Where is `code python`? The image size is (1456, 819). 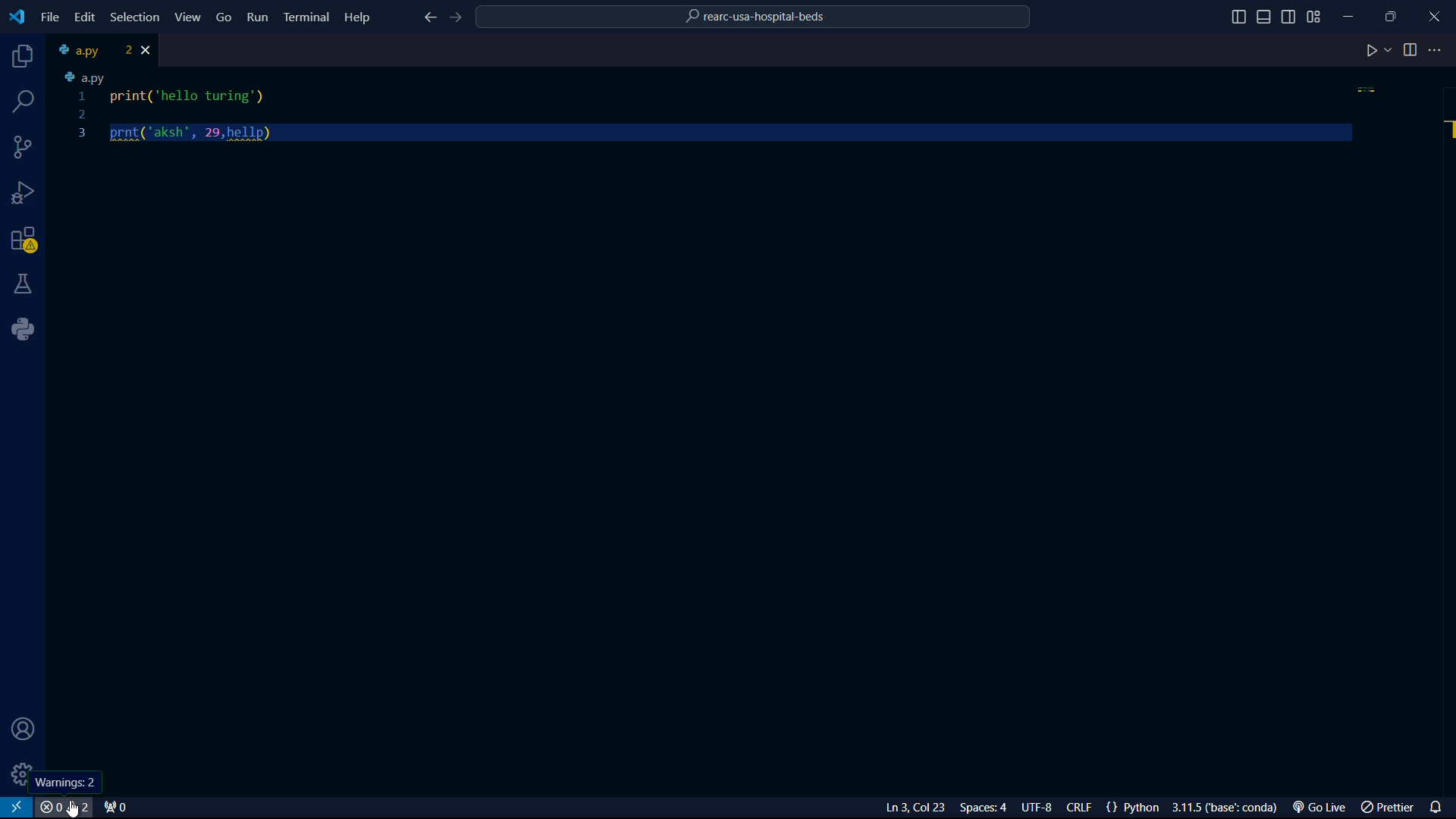 code python is located at coordinates (717, 108).